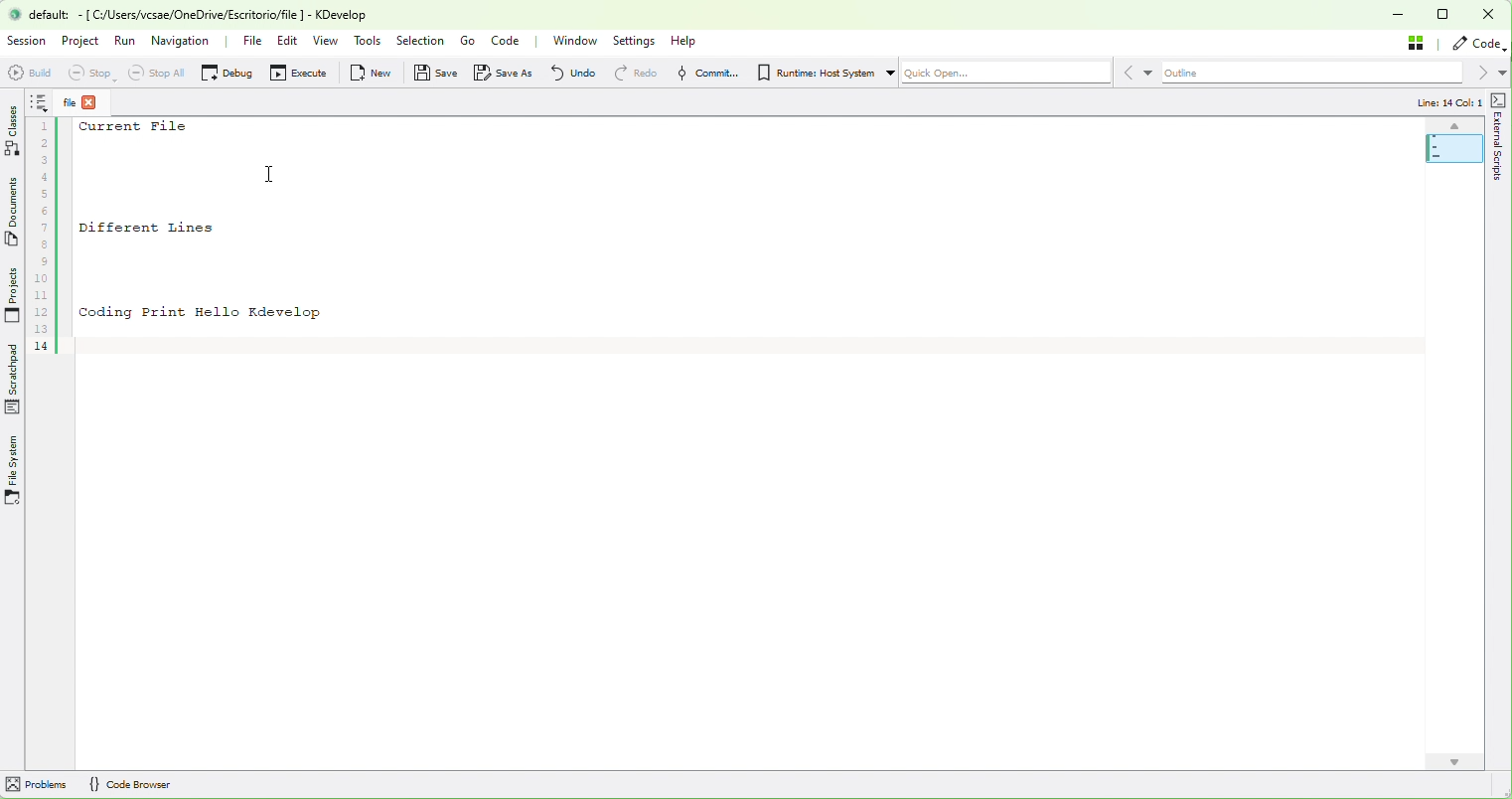  Describe the element at coordinates (571, 73) in the screenshot. I see `undo` at that location.